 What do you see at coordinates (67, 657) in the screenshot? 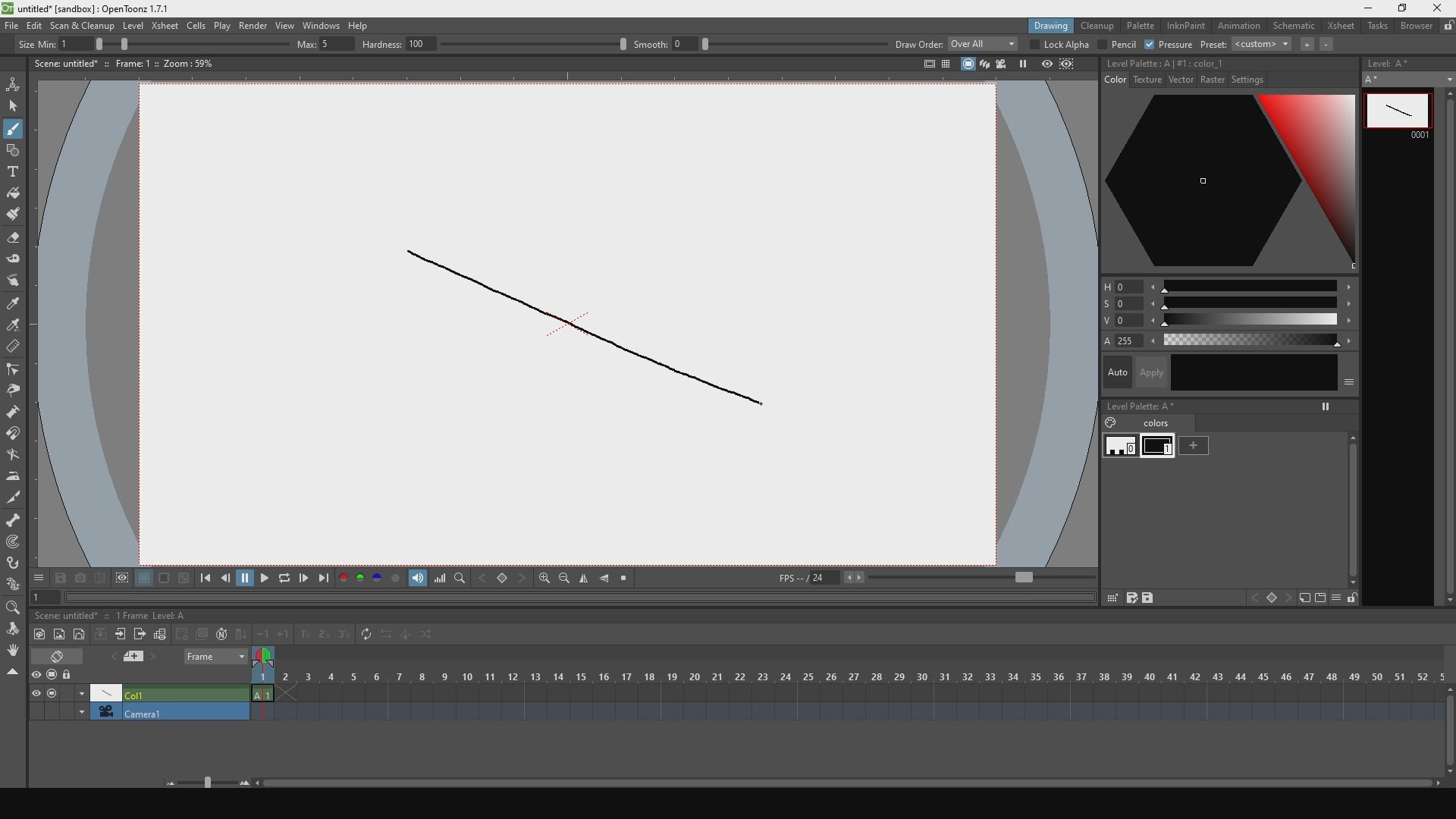
I see `erase` at bounding box center [67, 657].